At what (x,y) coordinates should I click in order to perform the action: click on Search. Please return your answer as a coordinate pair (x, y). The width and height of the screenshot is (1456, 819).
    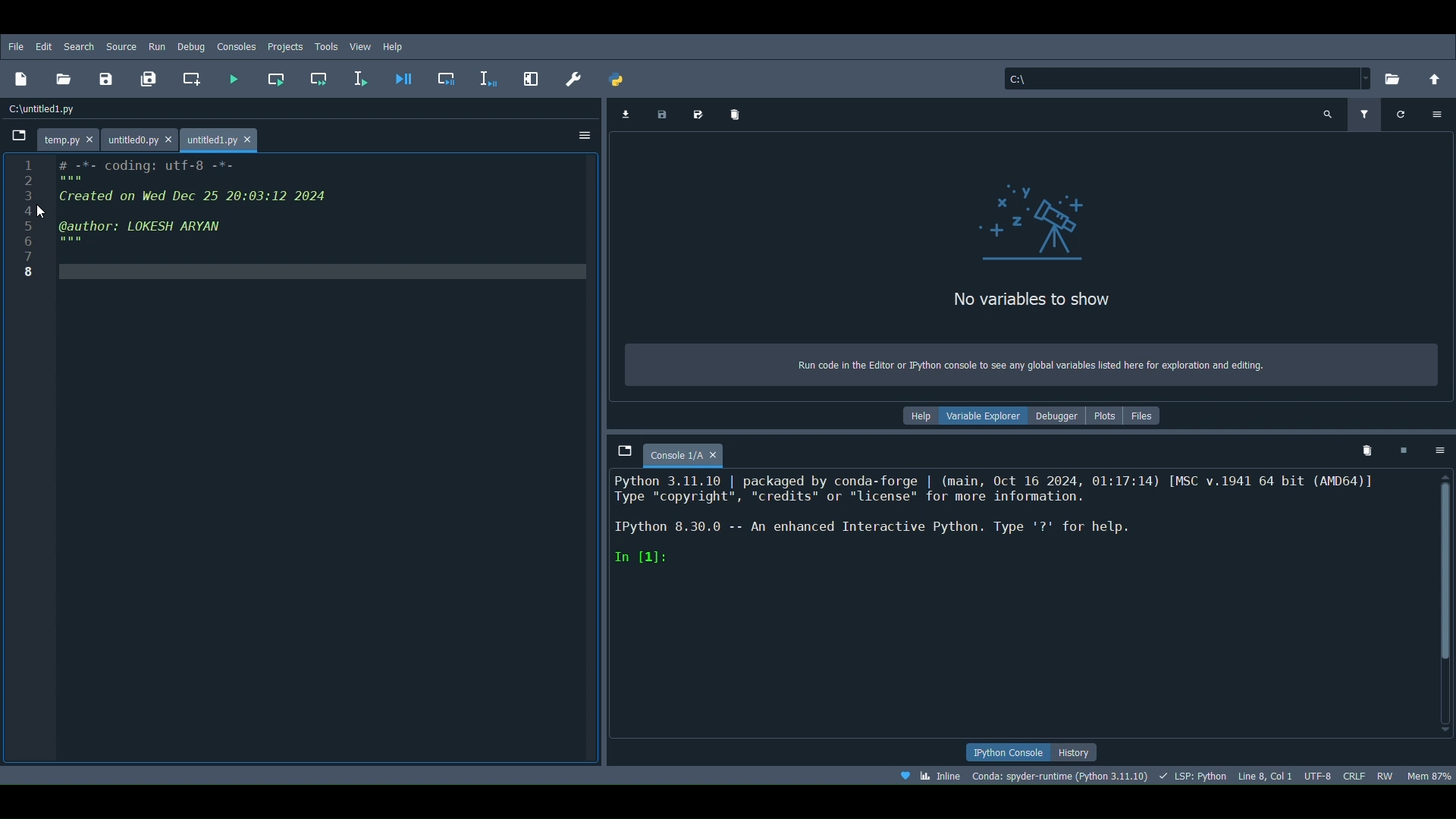
    Looking at the image, I should click on (79, 45).